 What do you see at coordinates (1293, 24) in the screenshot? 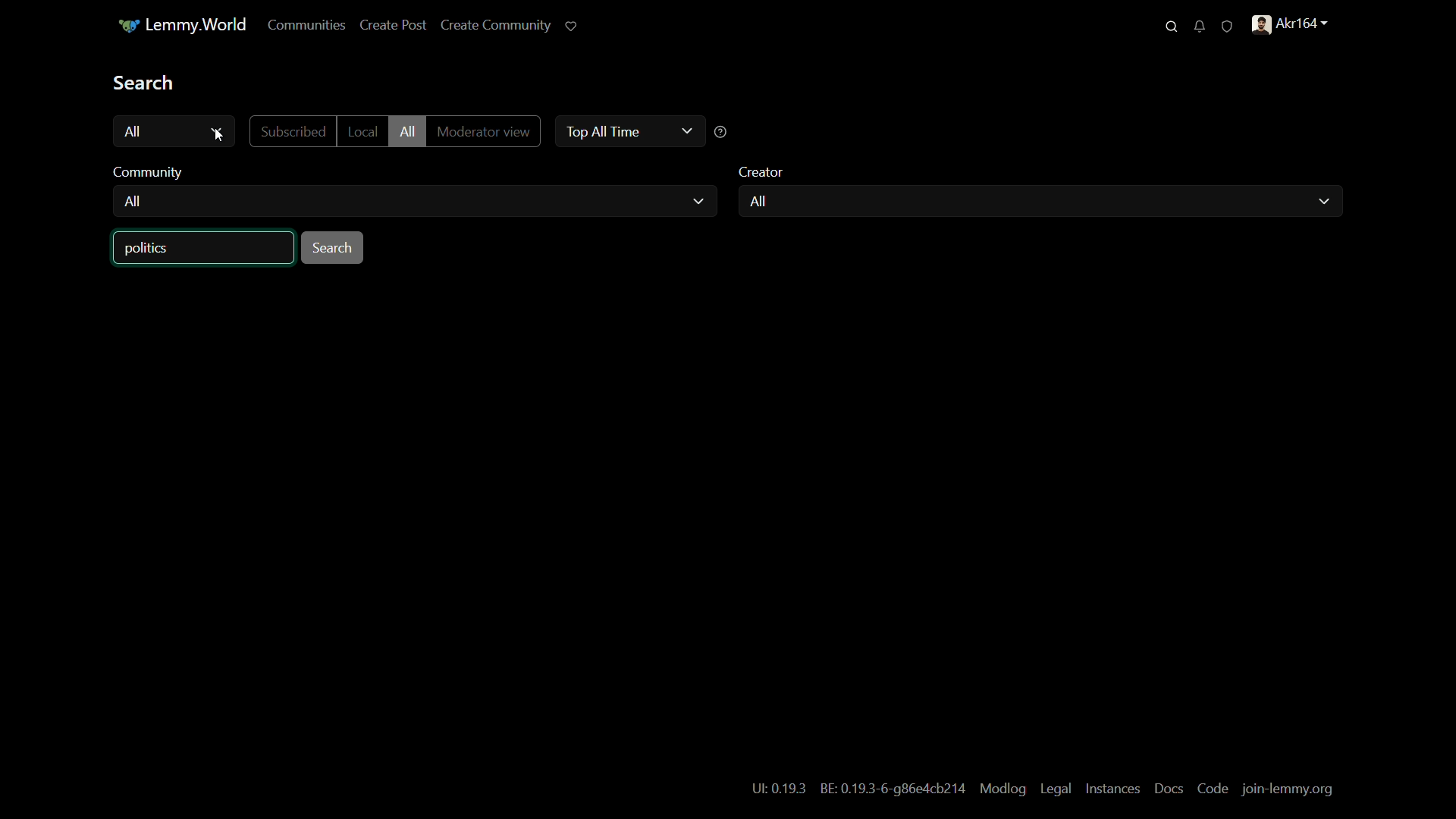
I see `profile` at bounding box center [1293, 24].